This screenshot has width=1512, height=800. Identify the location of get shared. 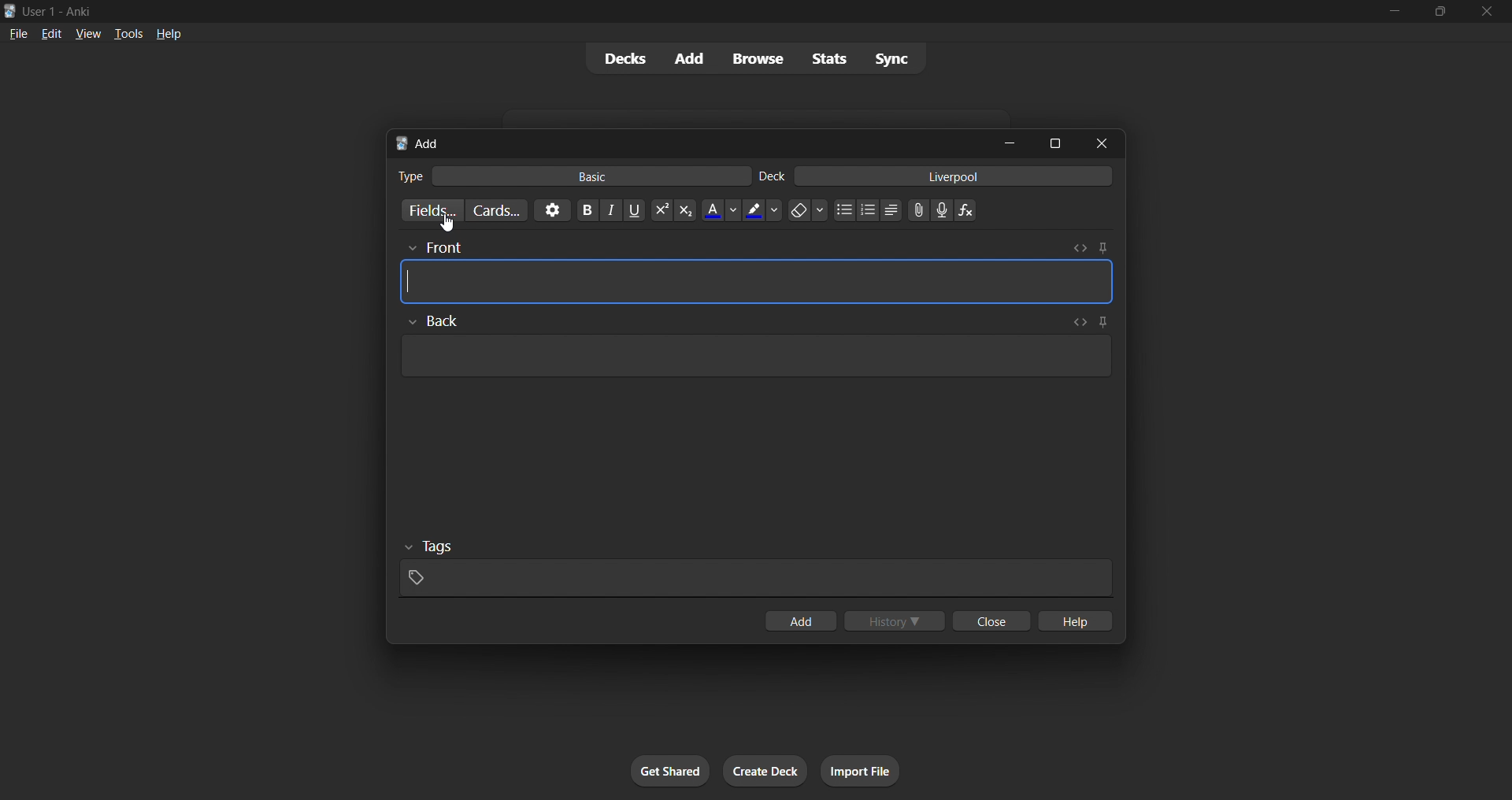
(670, 771).